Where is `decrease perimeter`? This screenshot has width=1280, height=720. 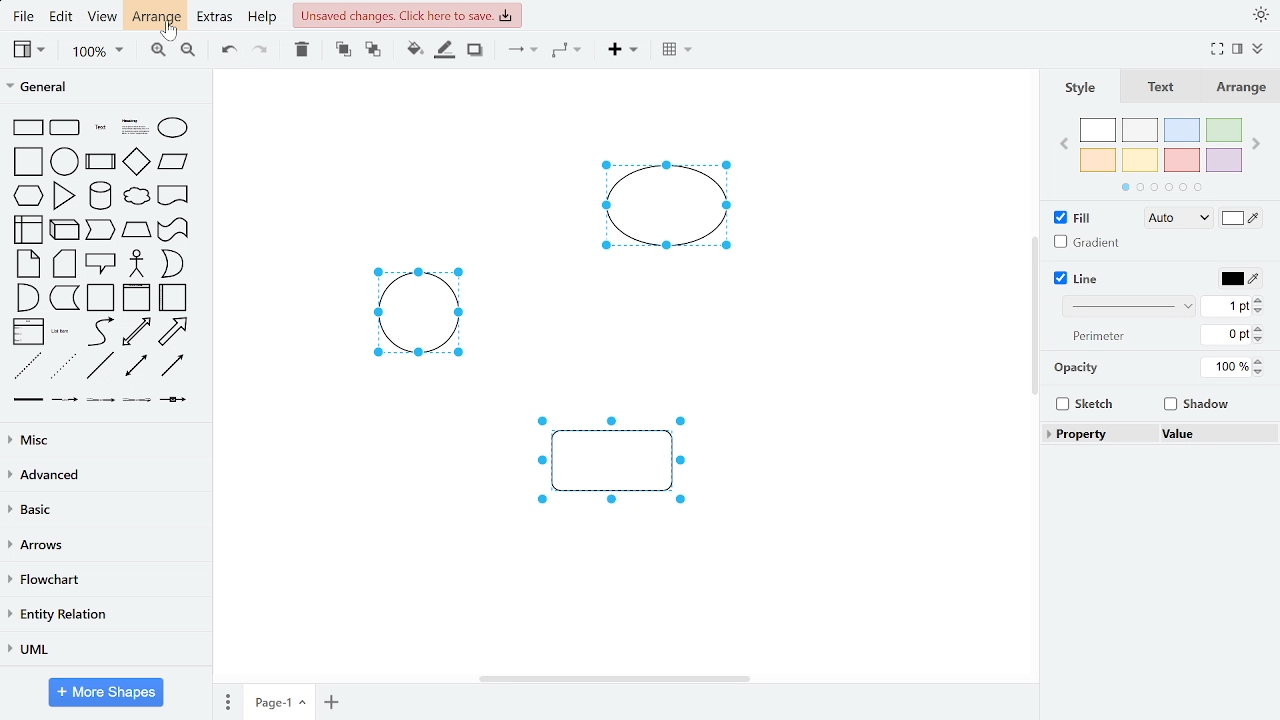
decrease perimeter is located at coordinates (1261, 339).